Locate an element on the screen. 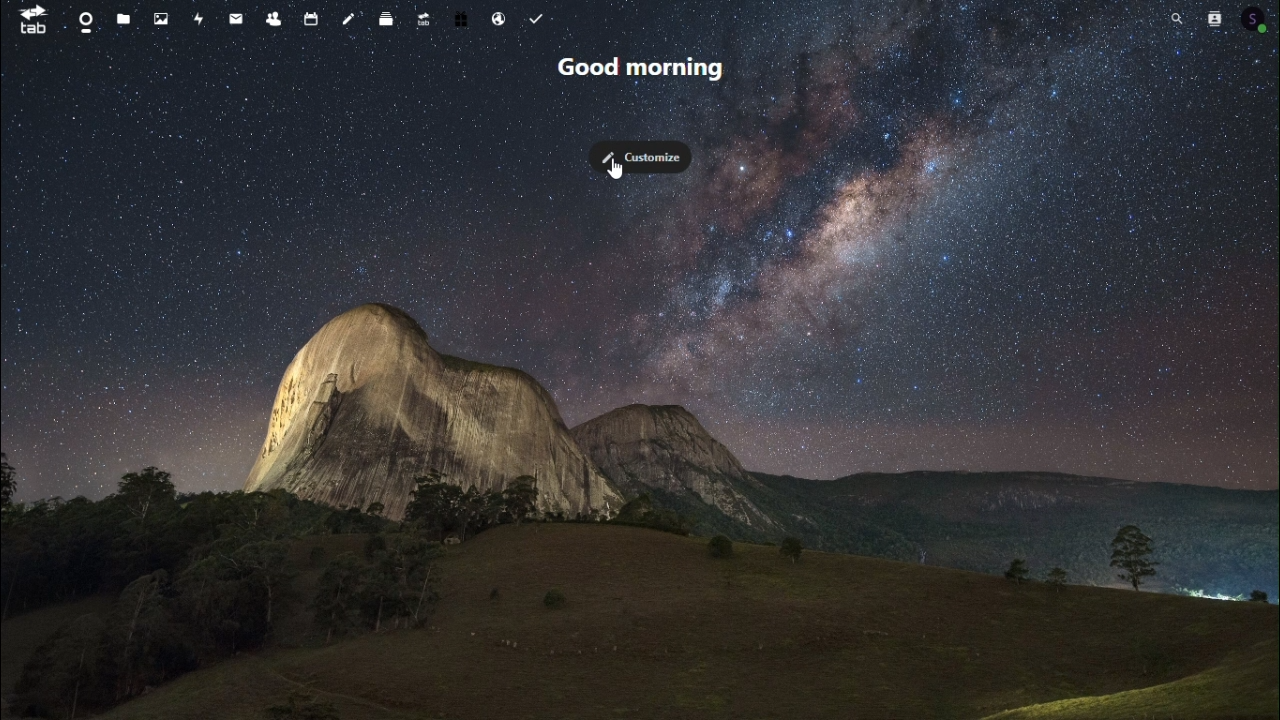 This screenshot has height=720, width=1280. Dashboard is located at coordinates (82, 20).